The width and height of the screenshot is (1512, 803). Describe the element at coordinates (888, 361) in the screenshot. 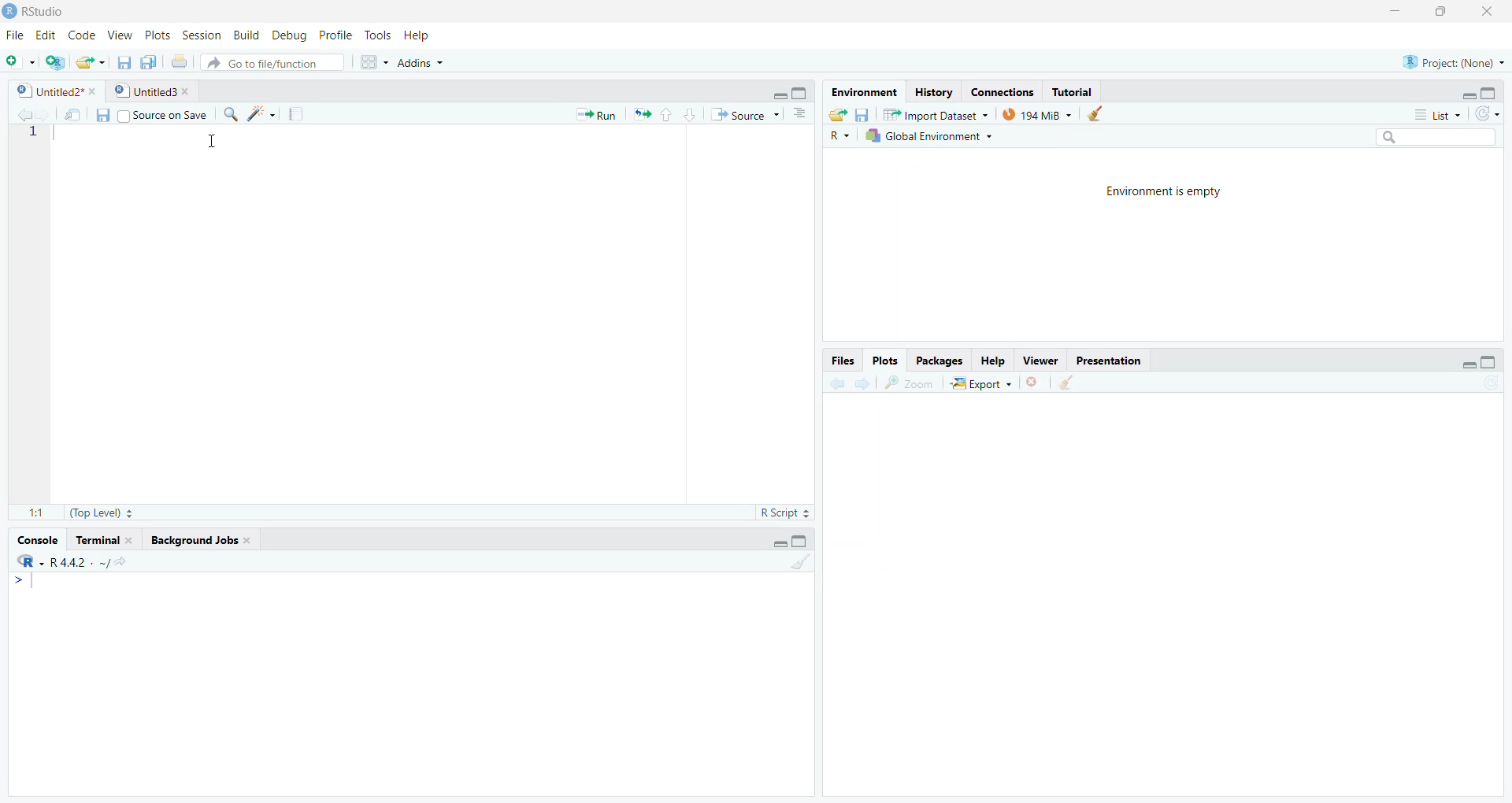

I see `Plots` at that location.